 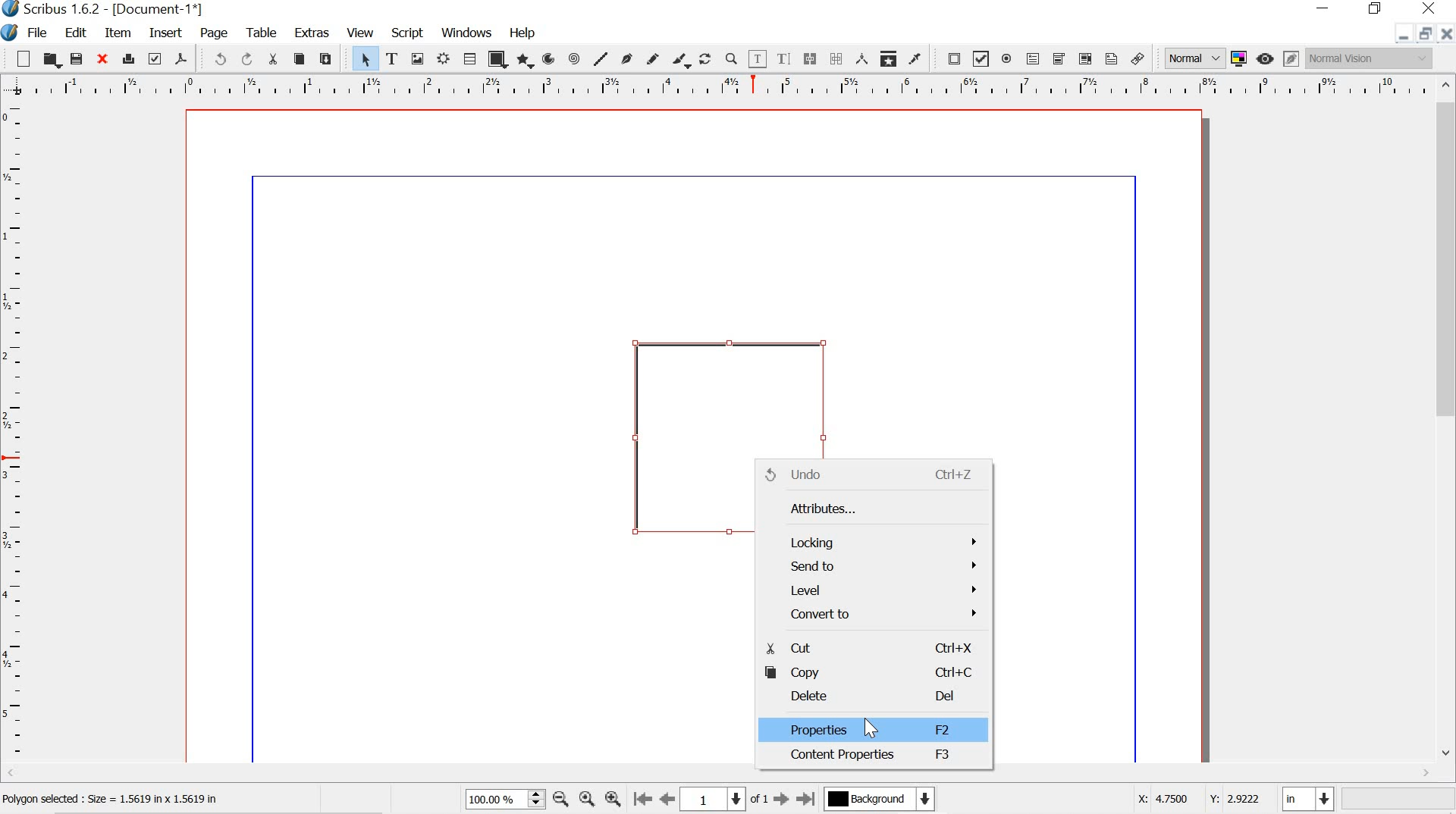 I want to click on scrollbar, so click(x=1445, y=422).